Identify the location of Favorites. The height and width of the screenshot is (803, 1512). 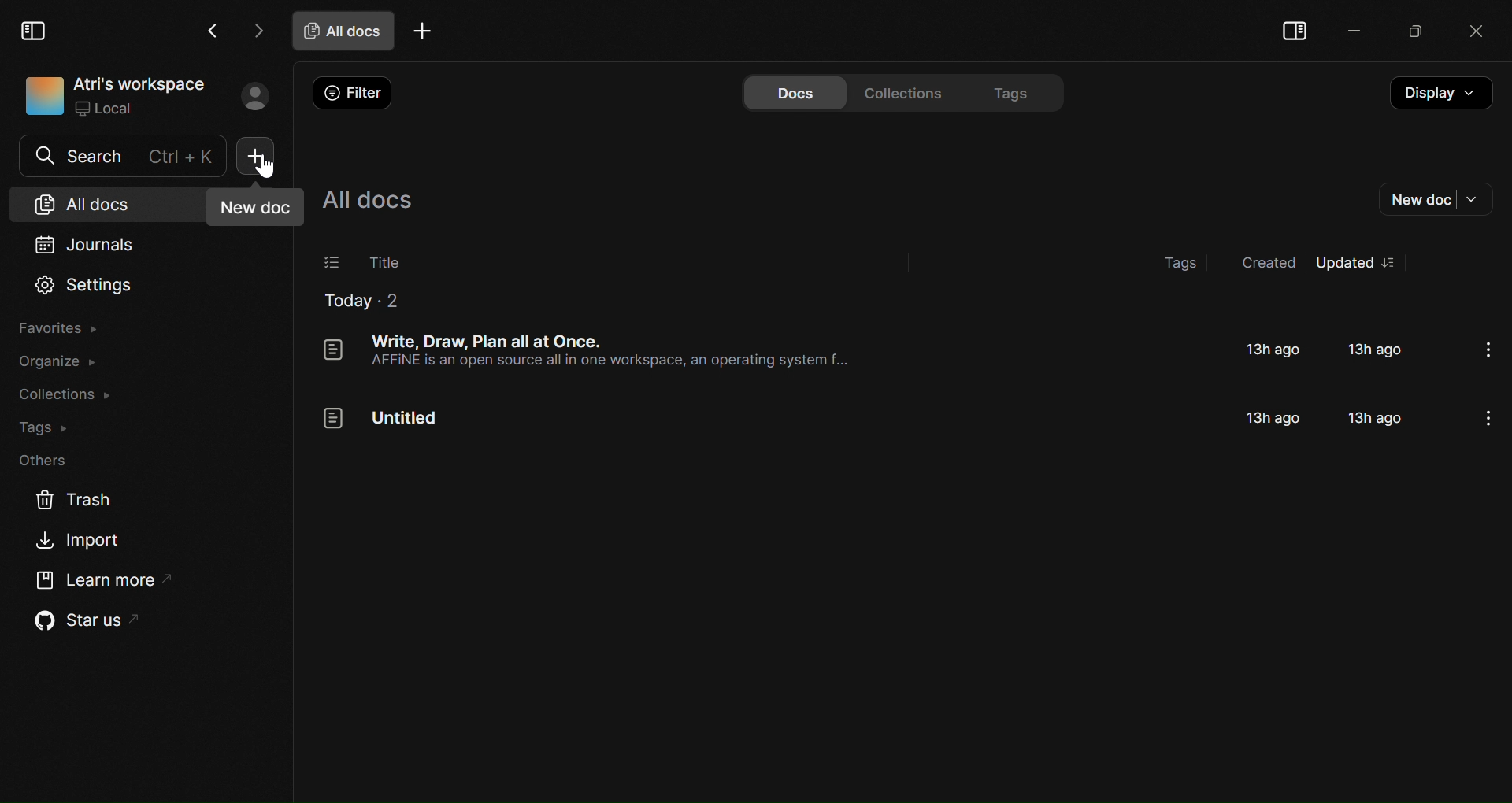
(68, 328).